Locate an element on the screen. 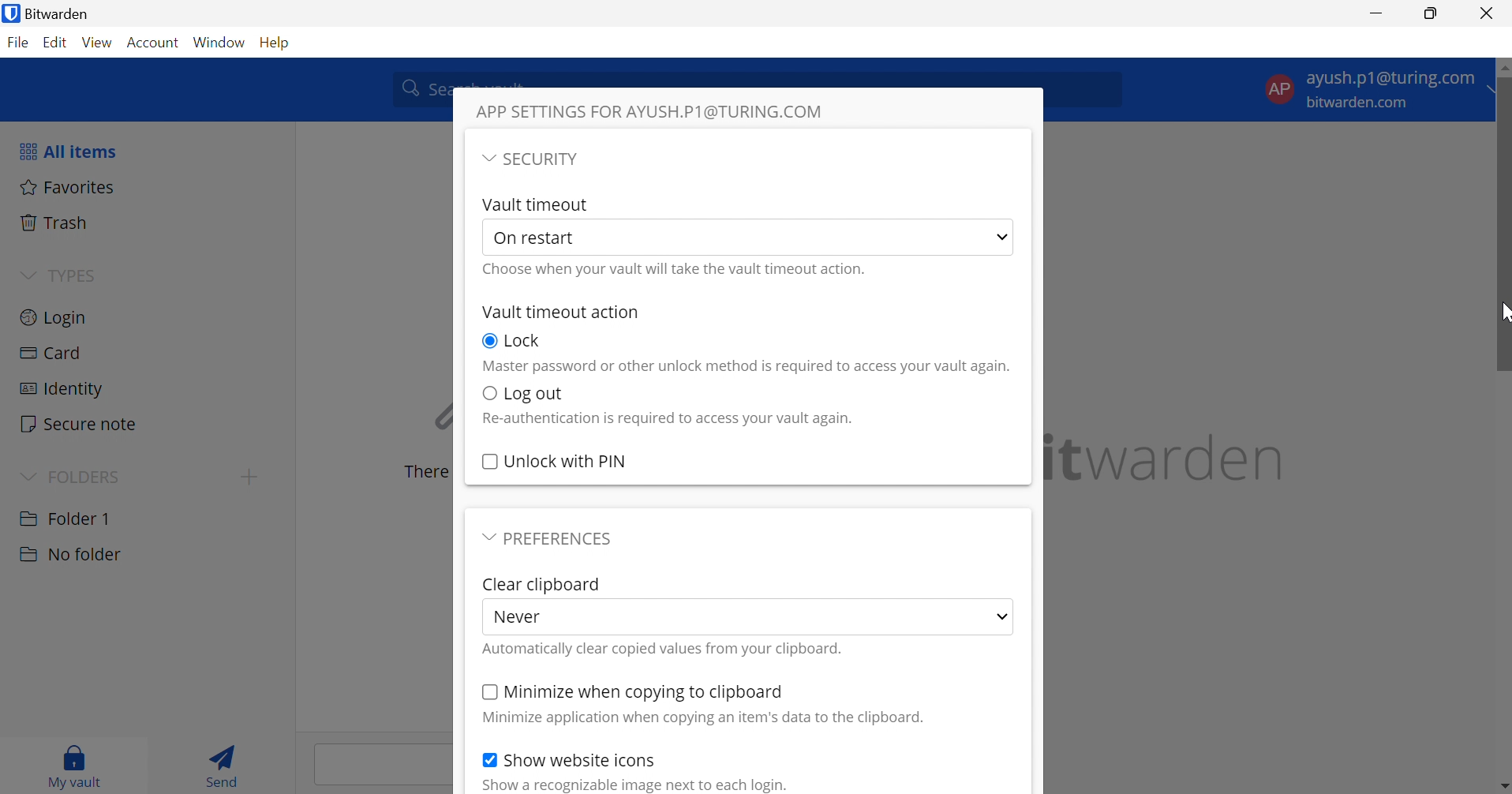  Search vault is located at coordinates (417, 88).